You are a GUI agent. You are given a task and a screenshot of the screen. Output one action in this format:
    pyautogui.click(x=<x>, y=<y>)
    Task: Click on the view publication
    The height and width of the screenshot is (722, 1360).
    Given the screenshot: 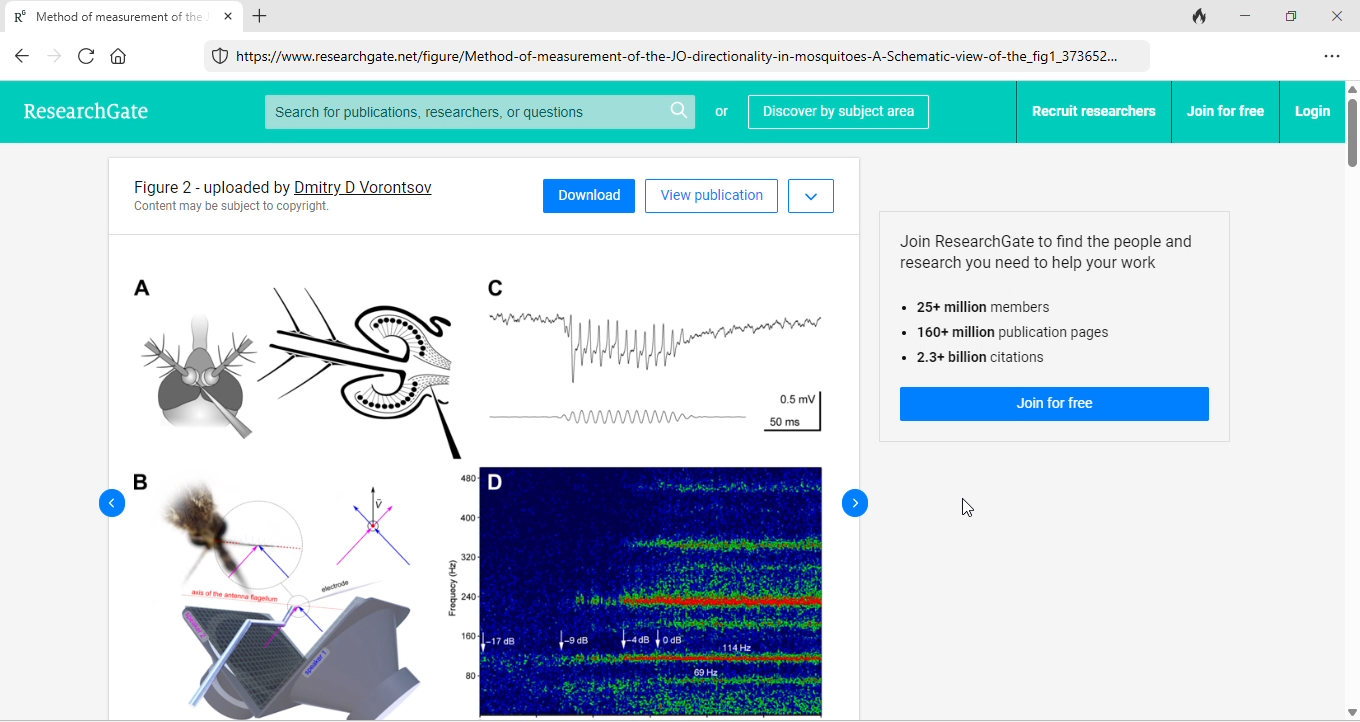 What is the action you would take?
    pyautogui.click(x=712, y=195)
    